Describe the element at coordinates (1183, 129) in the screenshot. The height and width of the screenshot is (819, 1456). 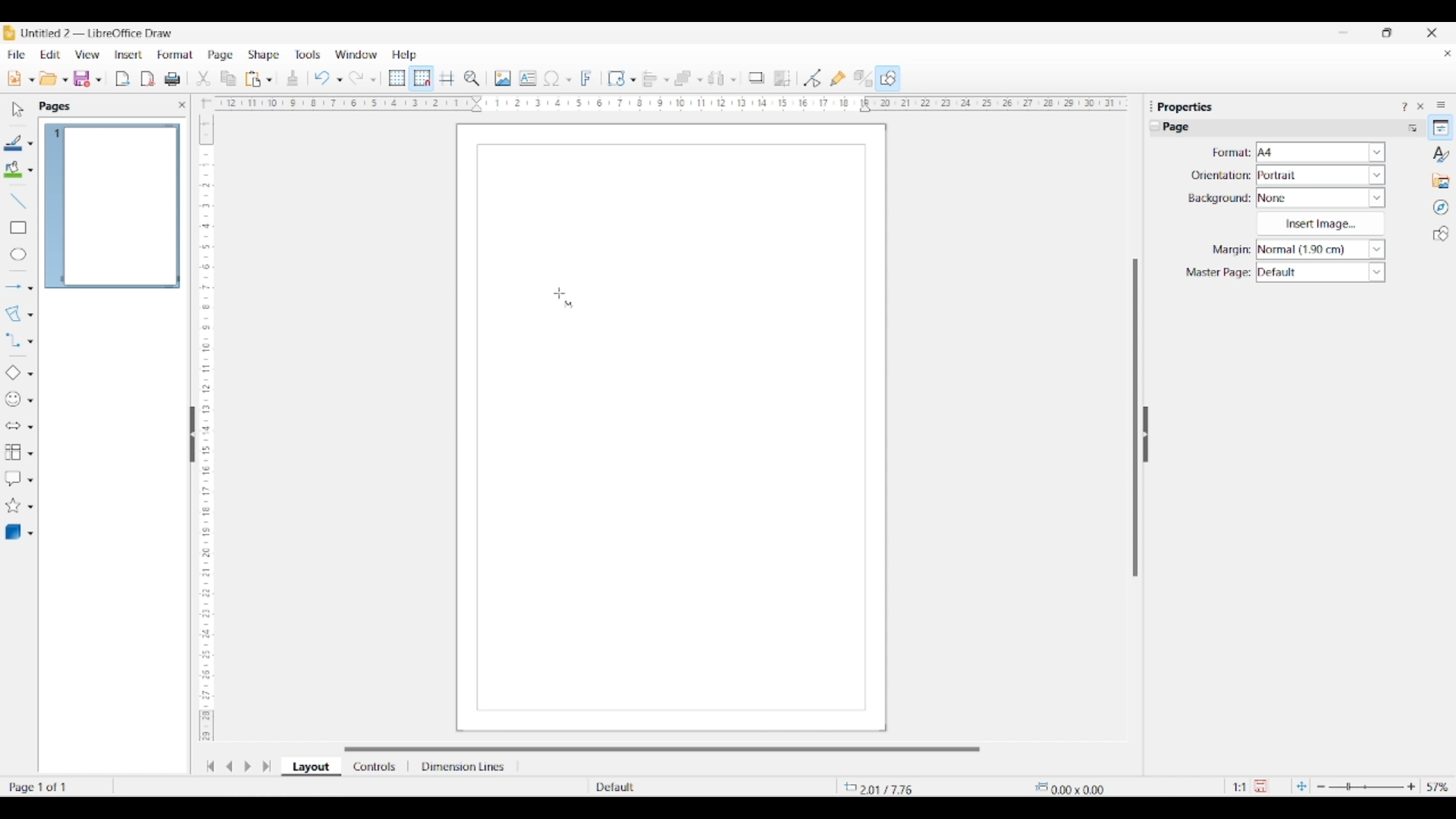
I see `Current settings title - Page` at that location.